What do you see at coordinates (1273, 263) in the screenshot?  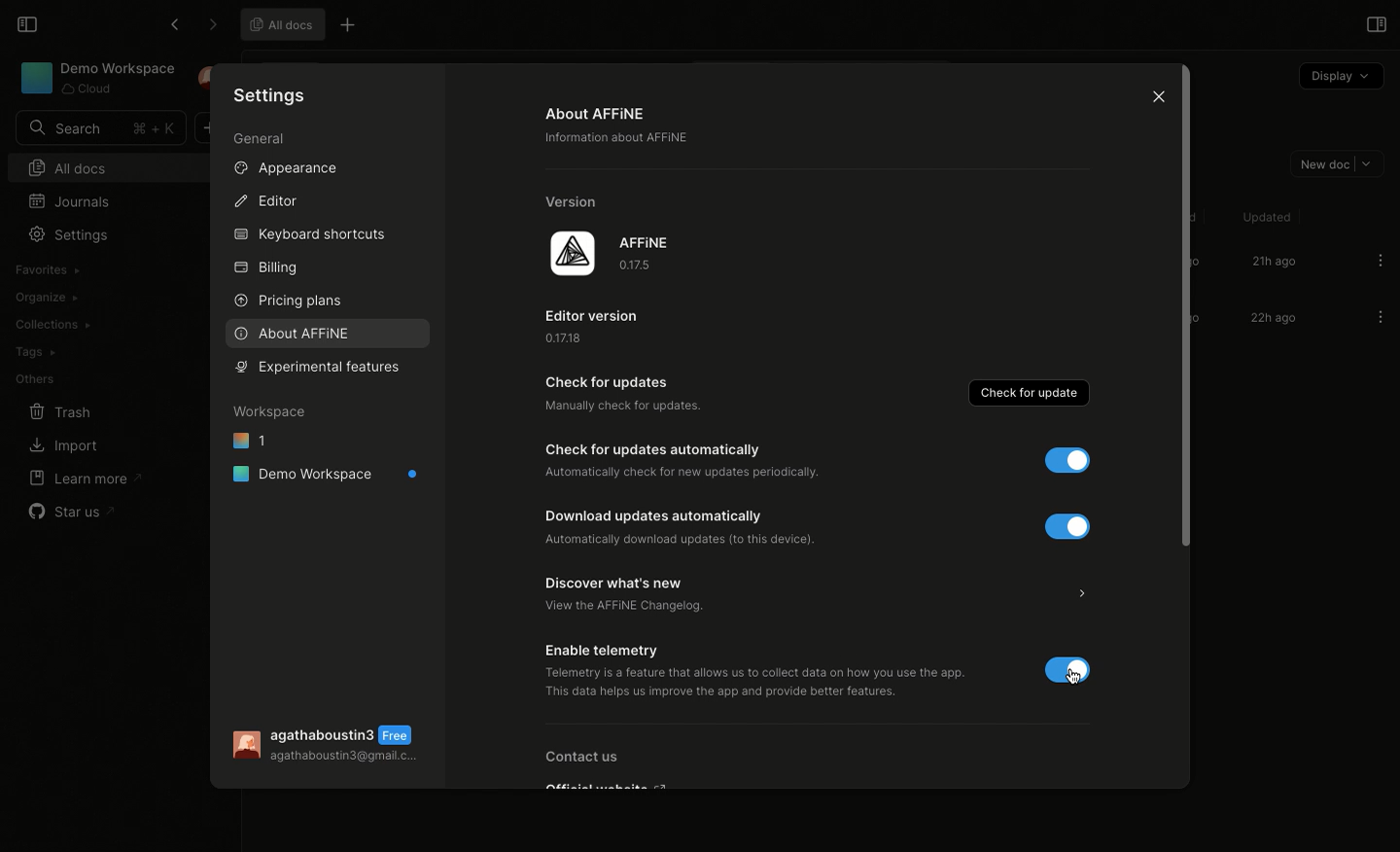 I see `21h ago` at bounding box center [1273, 263].